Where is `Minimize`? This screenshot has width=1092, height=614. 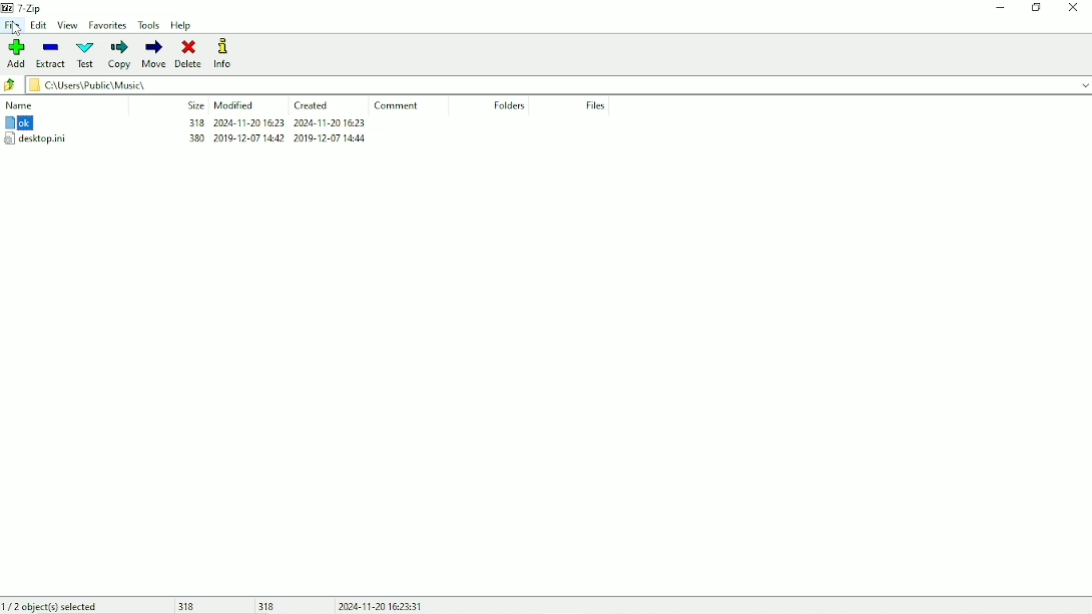
Minimize is located at coordinates (998, 10).